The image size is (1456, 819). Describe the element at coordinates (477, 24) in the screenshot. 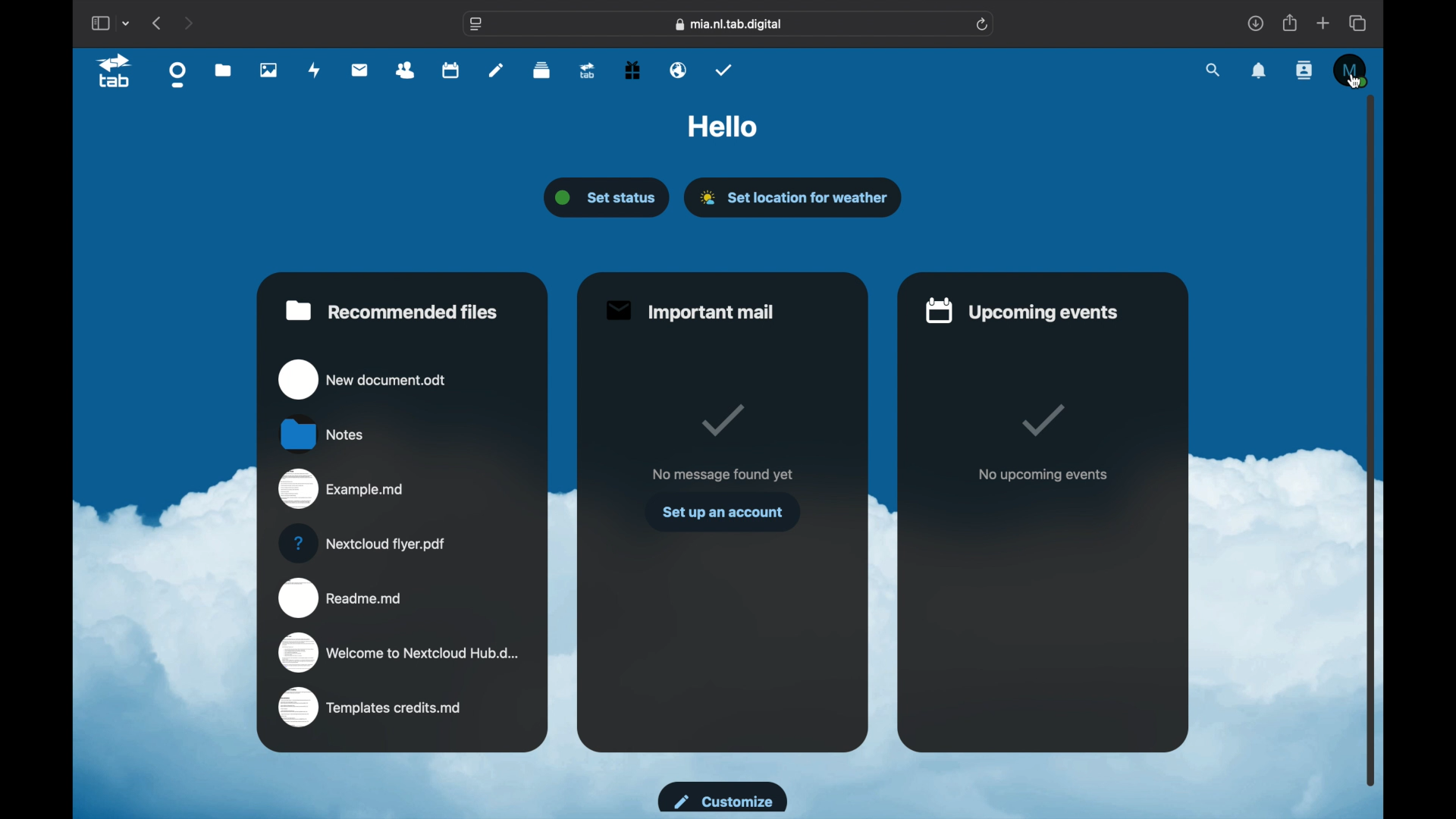

I see `website settings` at that location.